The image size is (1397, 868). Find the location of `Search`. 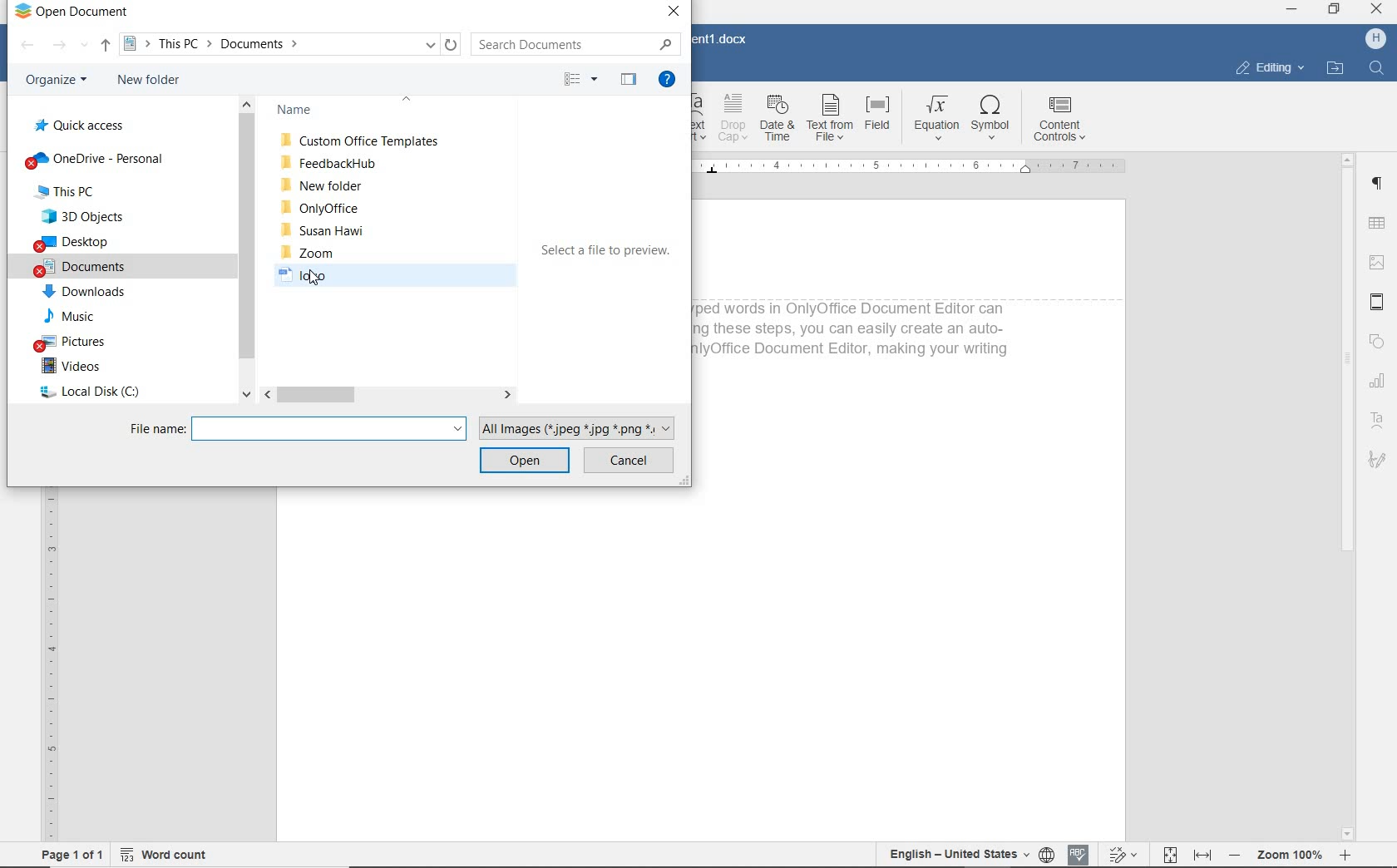

Search is located at coordinates (1375, 68).